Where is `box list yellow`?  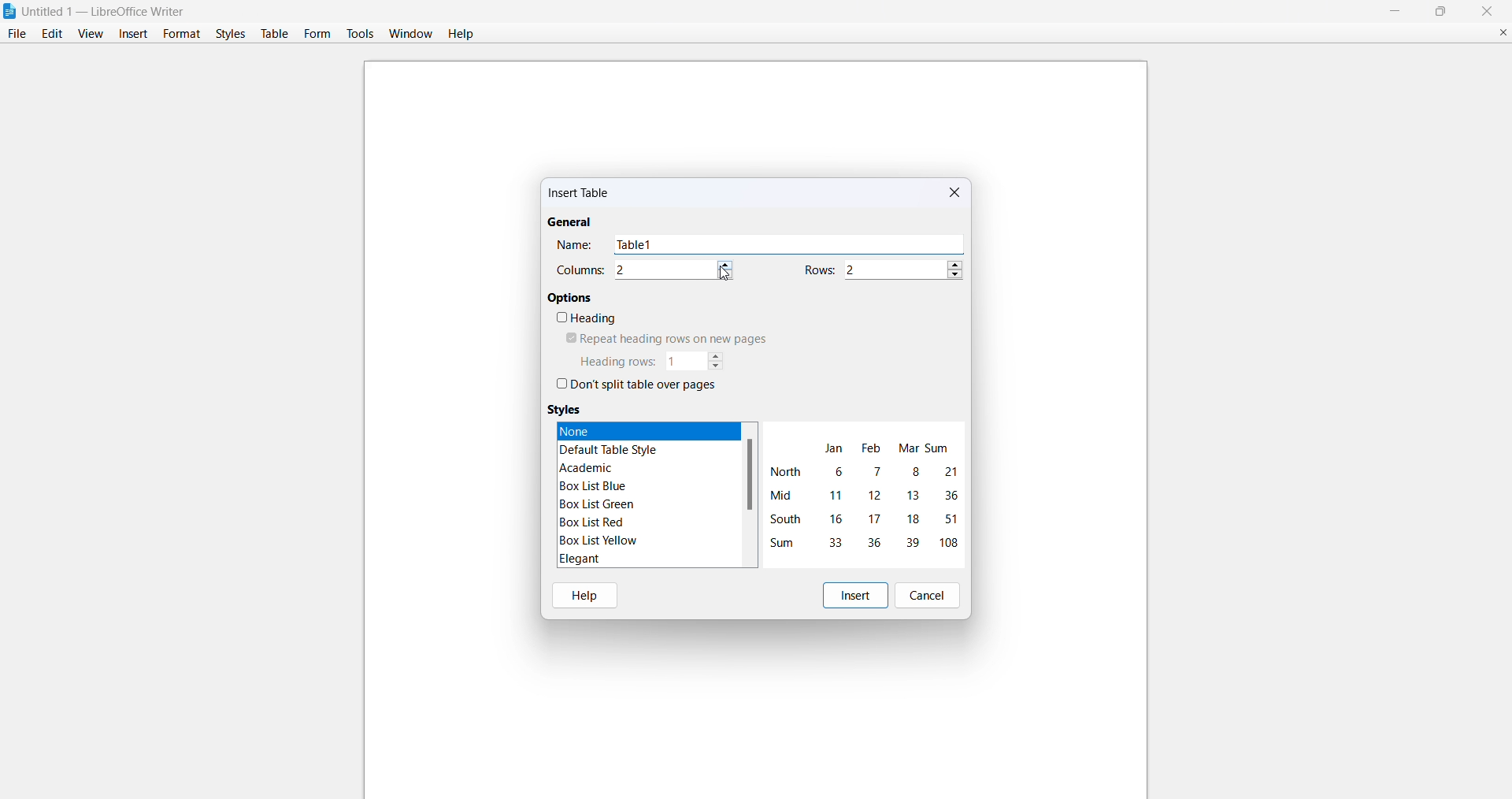
box list yellow is located at coordinates (596, 541).